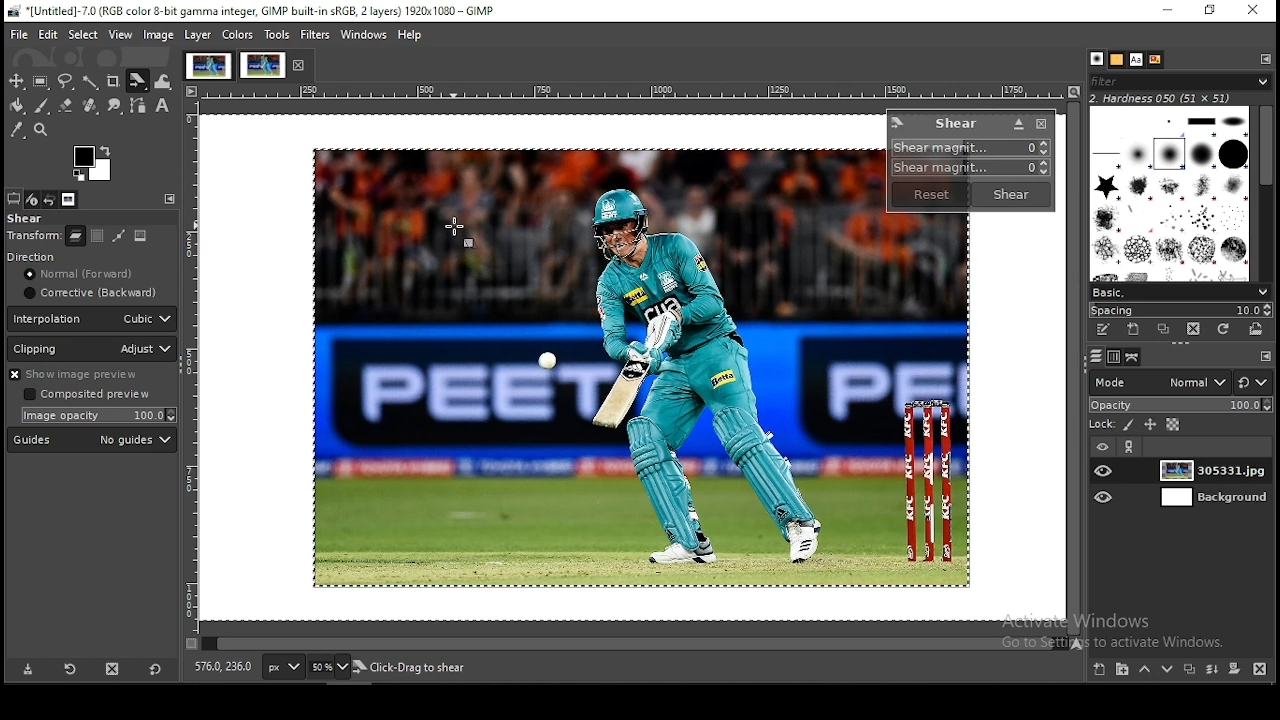 This screenshot has width=1280, height=720. I want to click on horizontal scale, so click(632, 93).